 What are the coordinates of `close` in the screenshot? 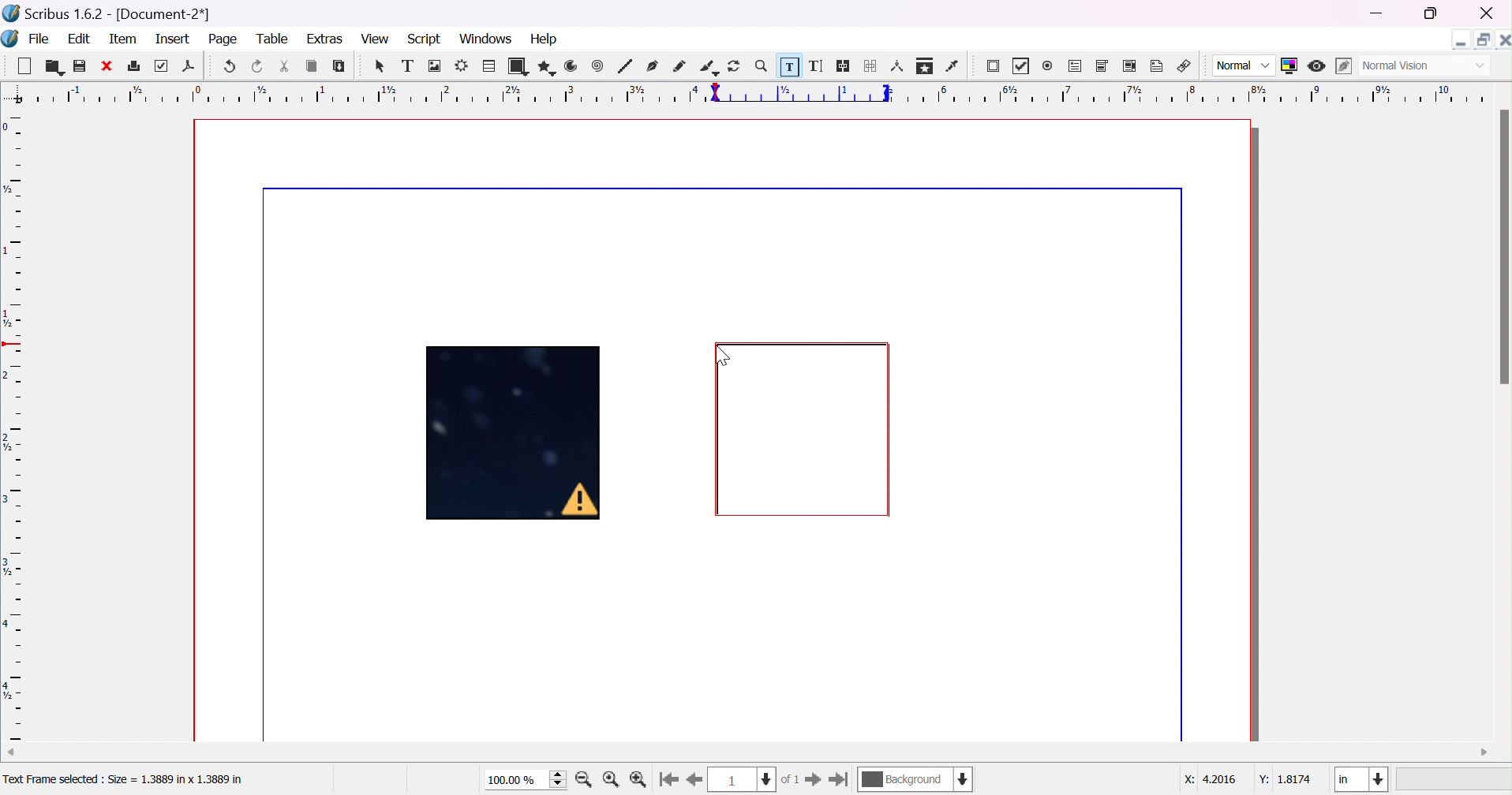 It's located at (1503, 38).